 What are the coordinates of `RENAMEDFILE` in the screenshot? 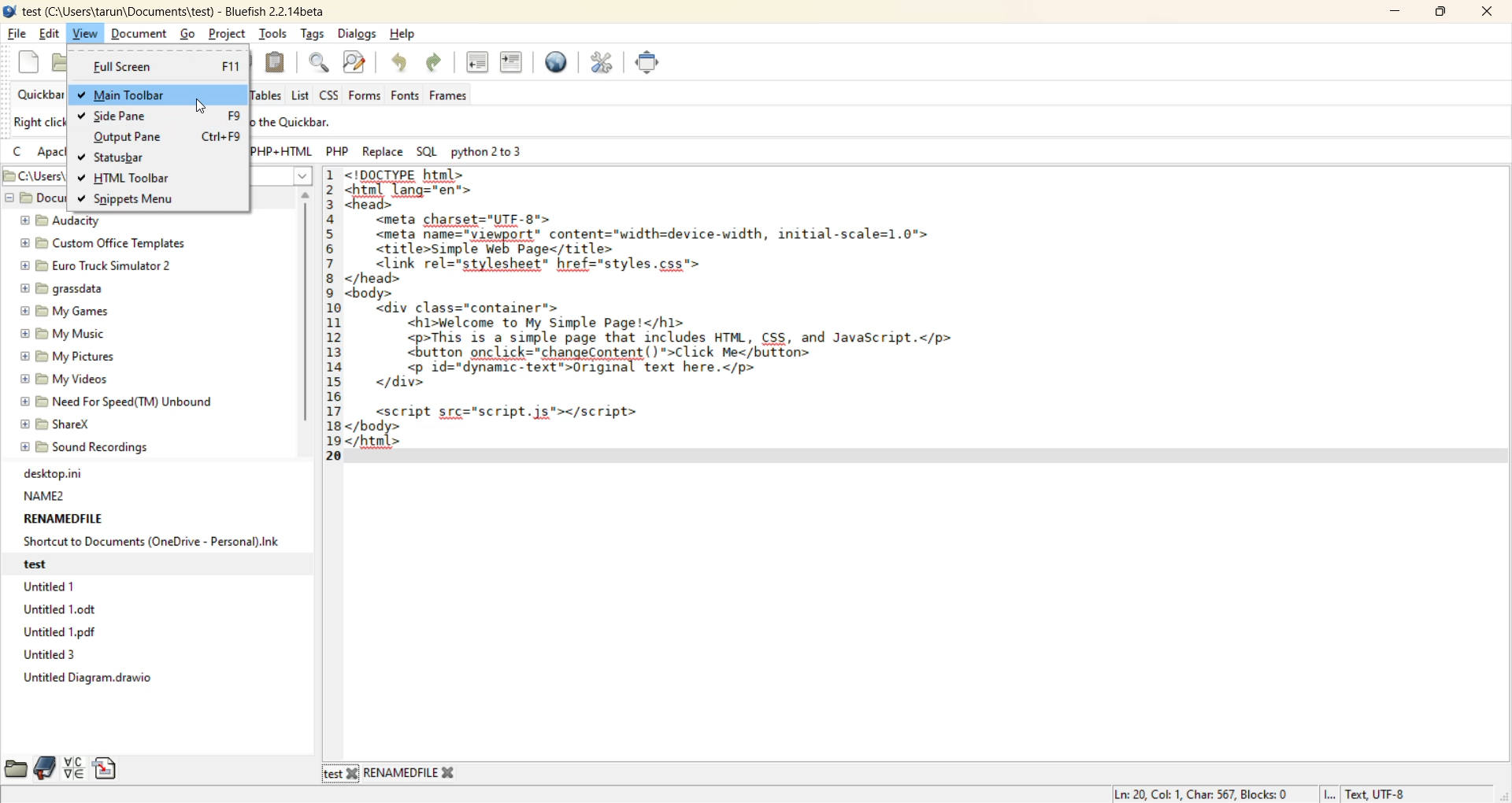 It's located at (62, 518).